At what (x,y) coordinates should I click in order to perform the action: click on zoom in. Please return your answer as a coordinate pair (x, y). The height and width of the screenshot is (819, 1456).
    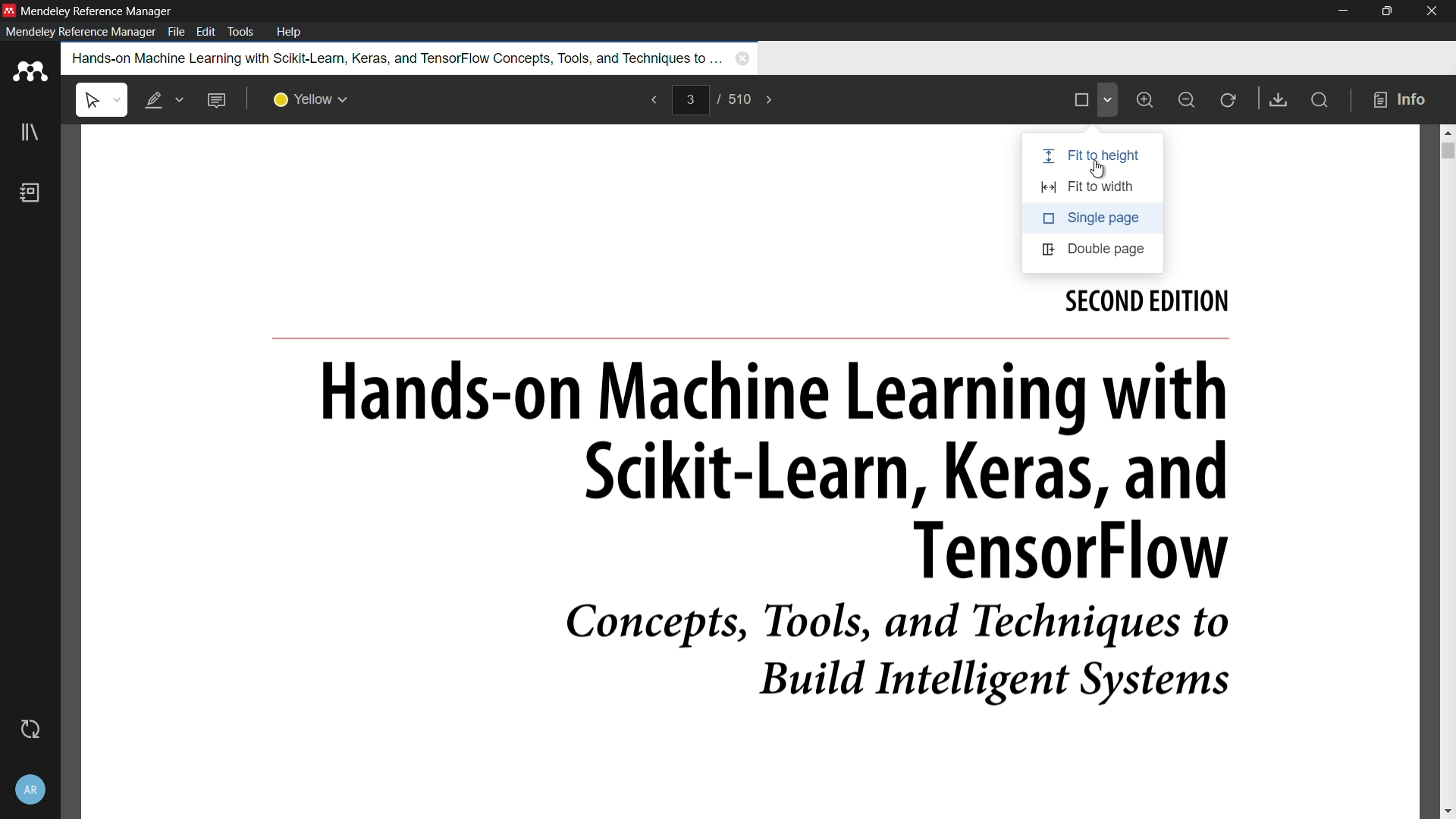
    Looking at the image, I should click on (1148, 100).